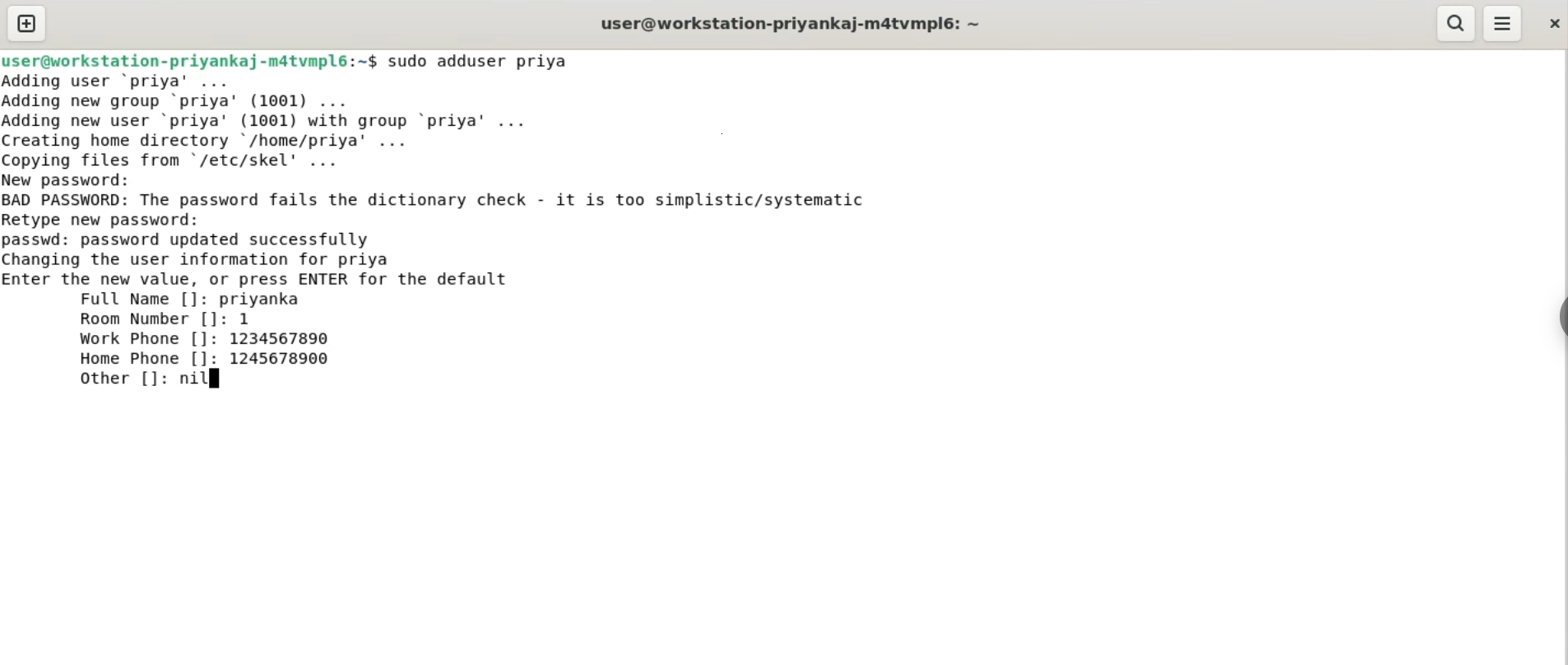  I want to click on sidebar, so click(1560, 318).